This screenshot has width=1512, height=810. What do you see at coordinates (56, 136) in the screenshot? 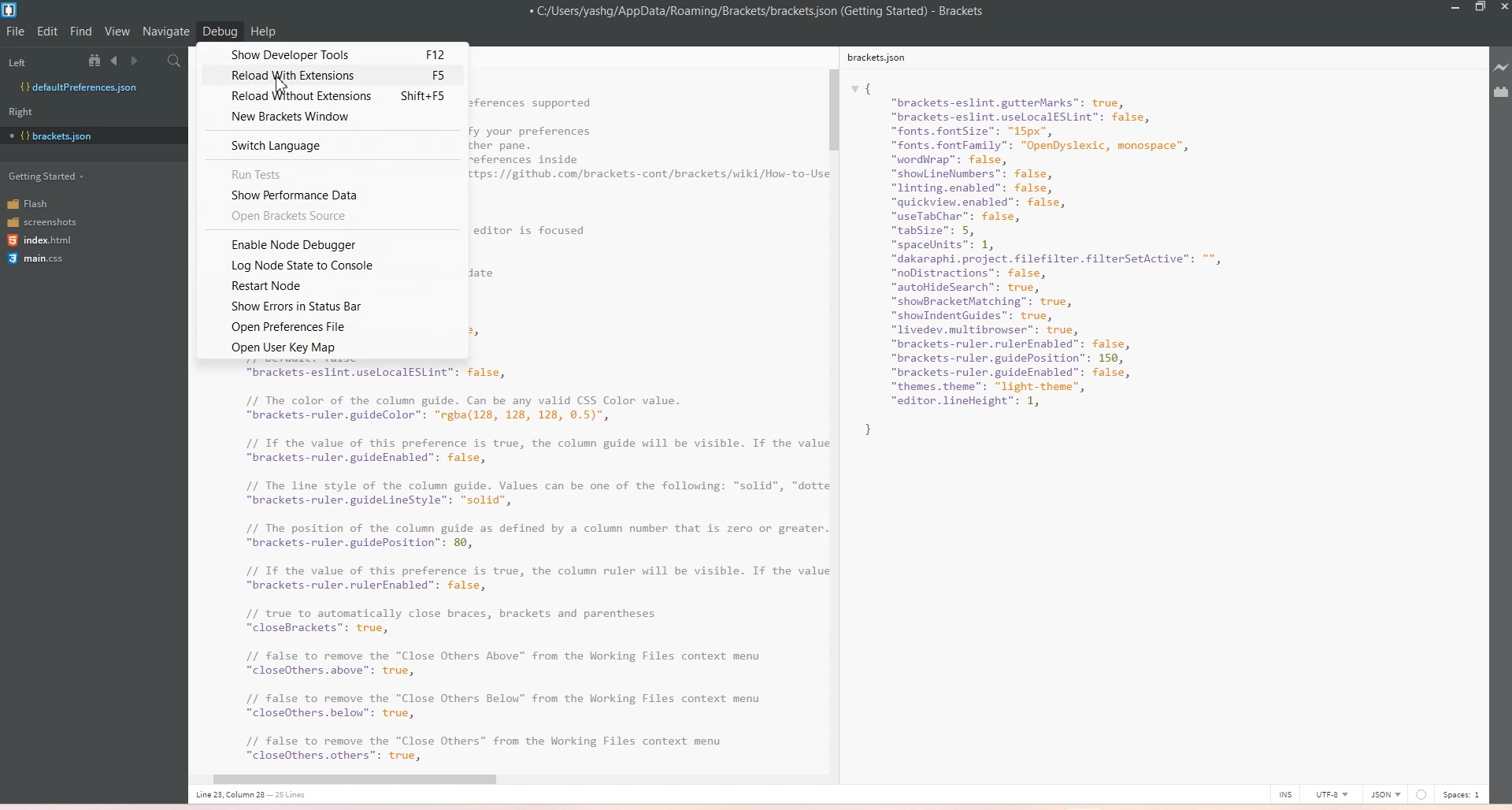
I see `Bracket.json` at bounding box center [56, 136].